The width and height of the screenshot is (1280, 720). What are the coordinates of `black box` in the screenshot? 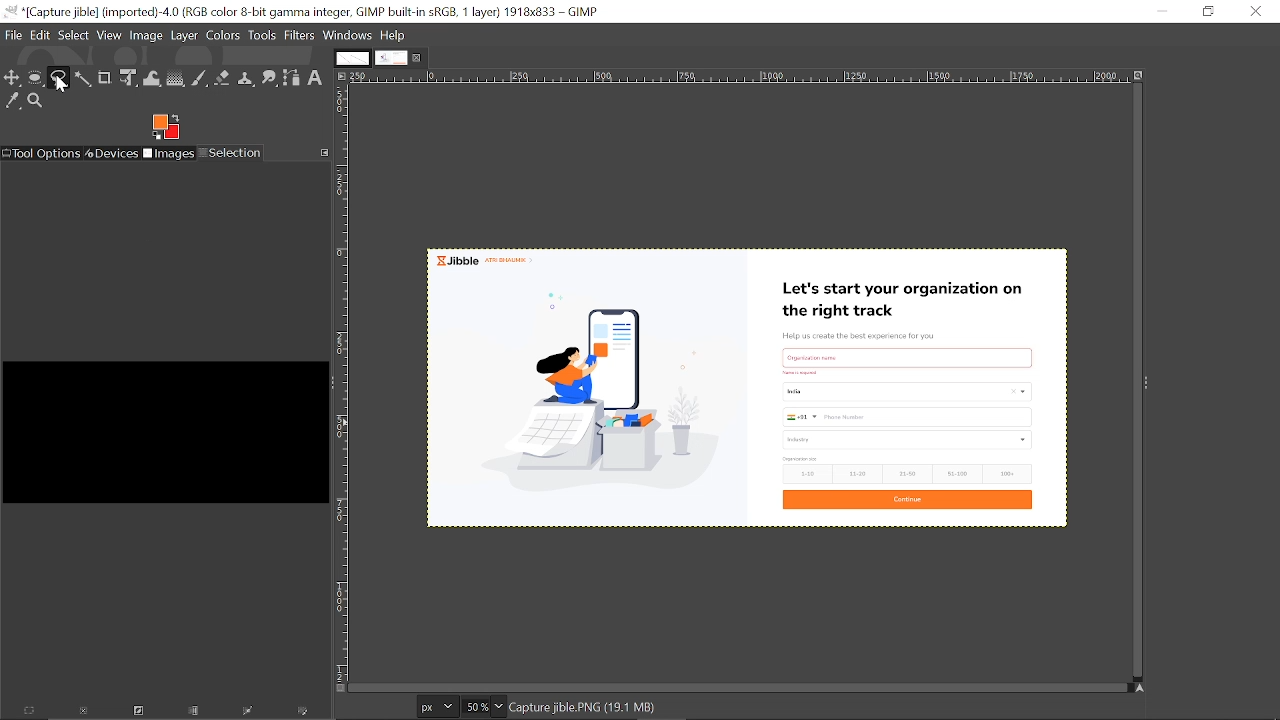 It's located at (163, 424).